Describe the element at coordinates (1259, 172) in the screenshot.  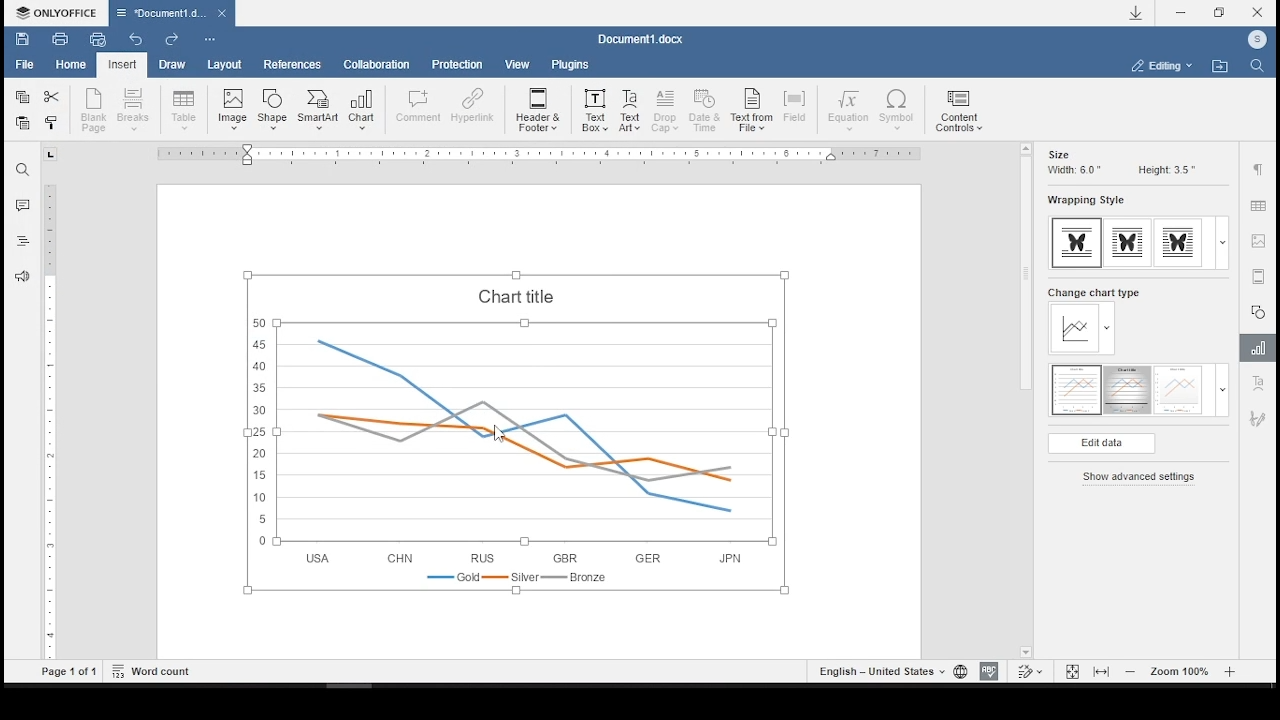
I see `paragraph settings` at that location.